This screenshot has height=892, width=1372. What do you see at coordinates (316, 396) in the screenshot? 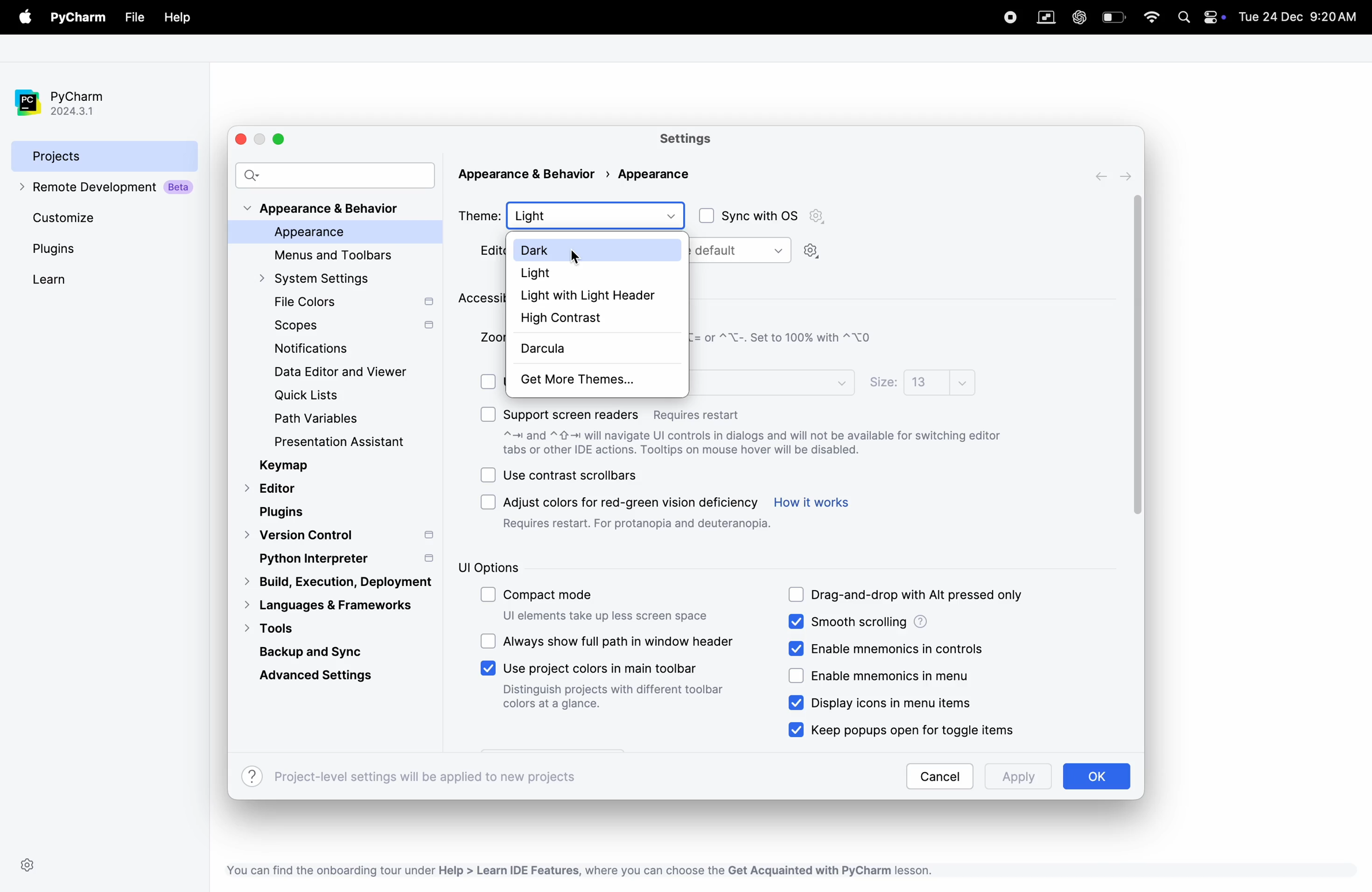
I see `Quick lists` at bounding box center [316, 396].